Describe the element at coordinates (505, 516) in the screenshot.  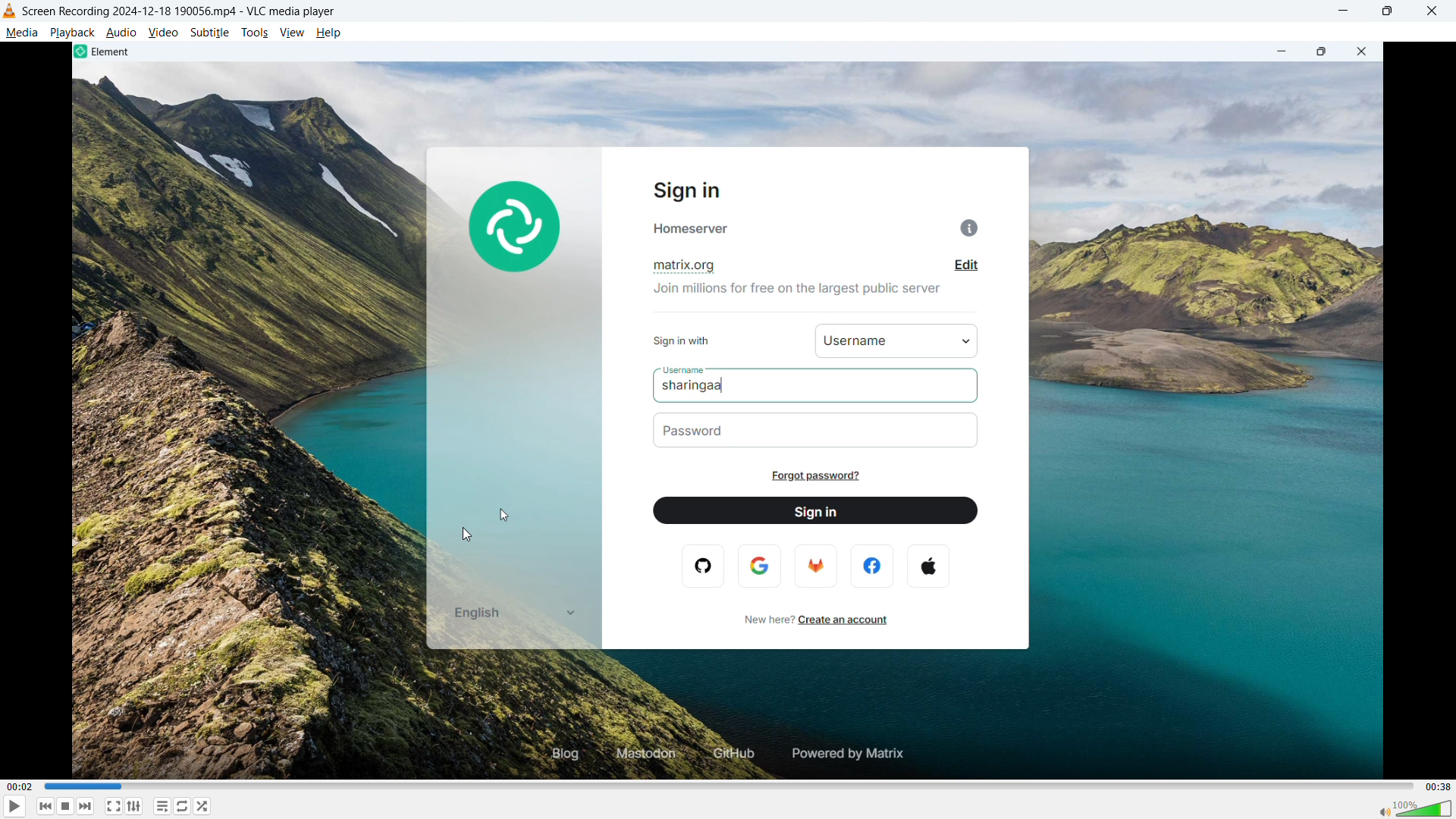
I see `cursor` at that location.